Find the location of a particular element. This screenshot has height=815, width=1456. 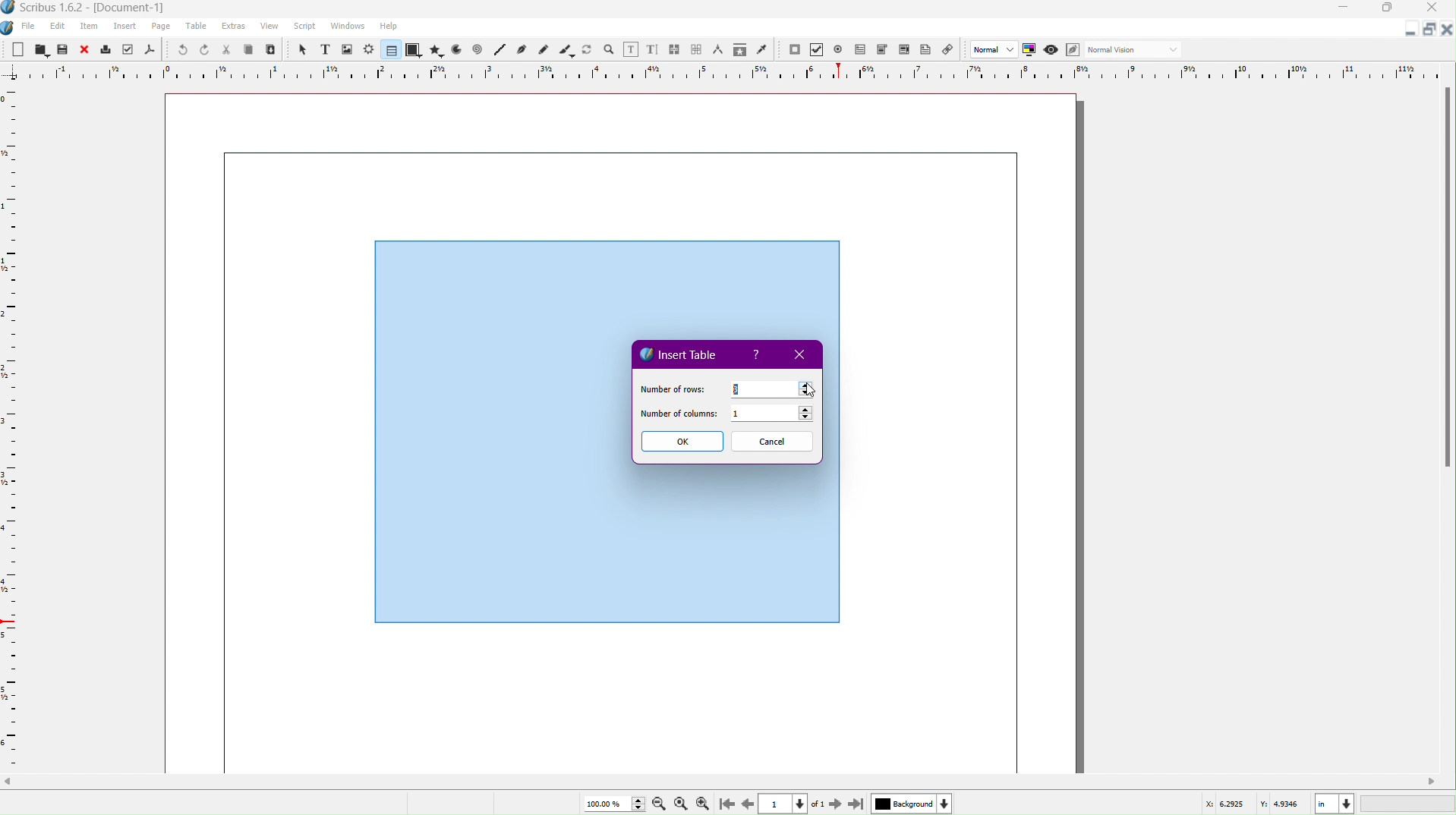

PDF Push Button is located at coordinates (794, 50).